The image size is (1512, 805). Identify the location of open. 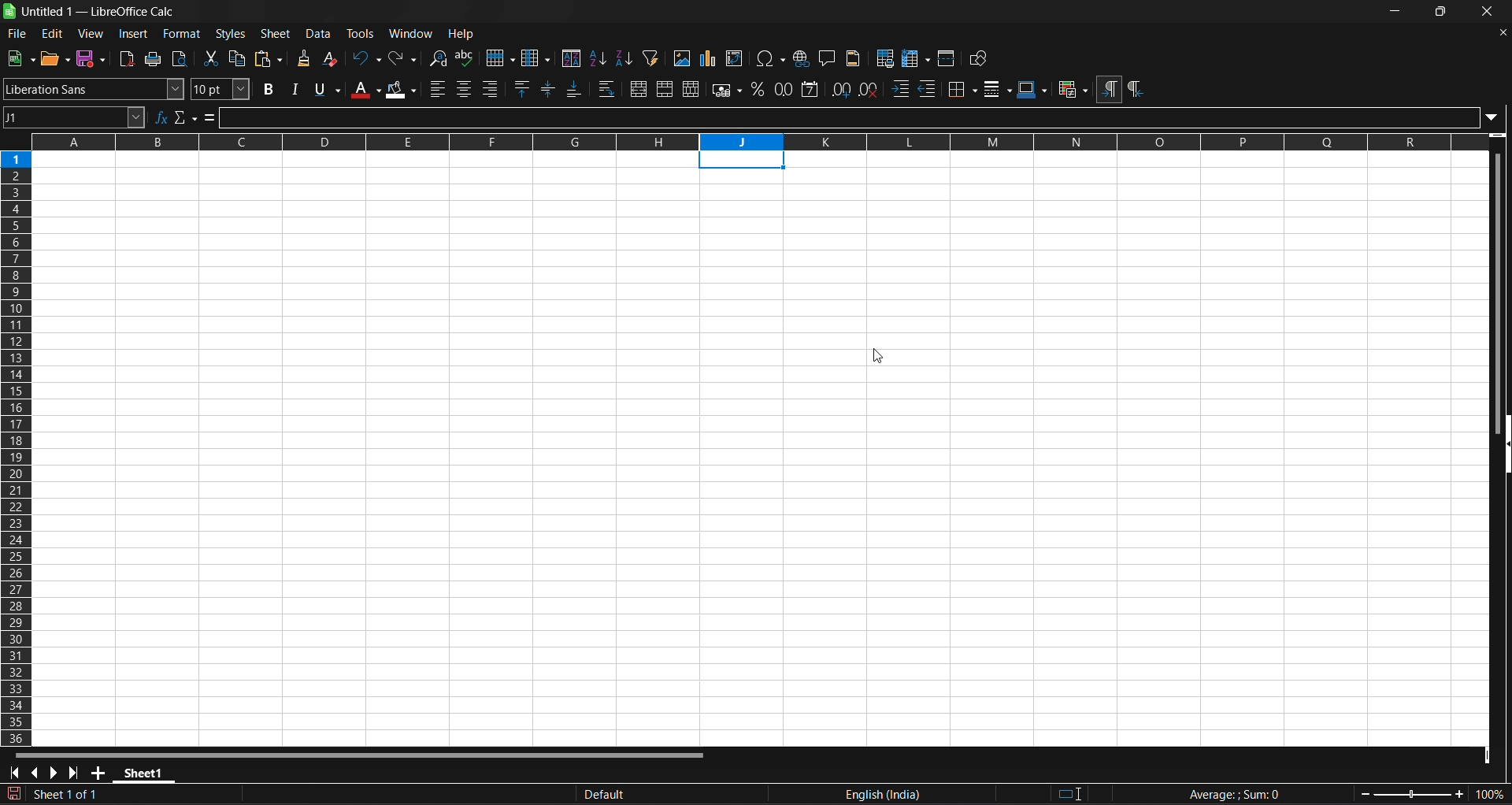
(55, 58).